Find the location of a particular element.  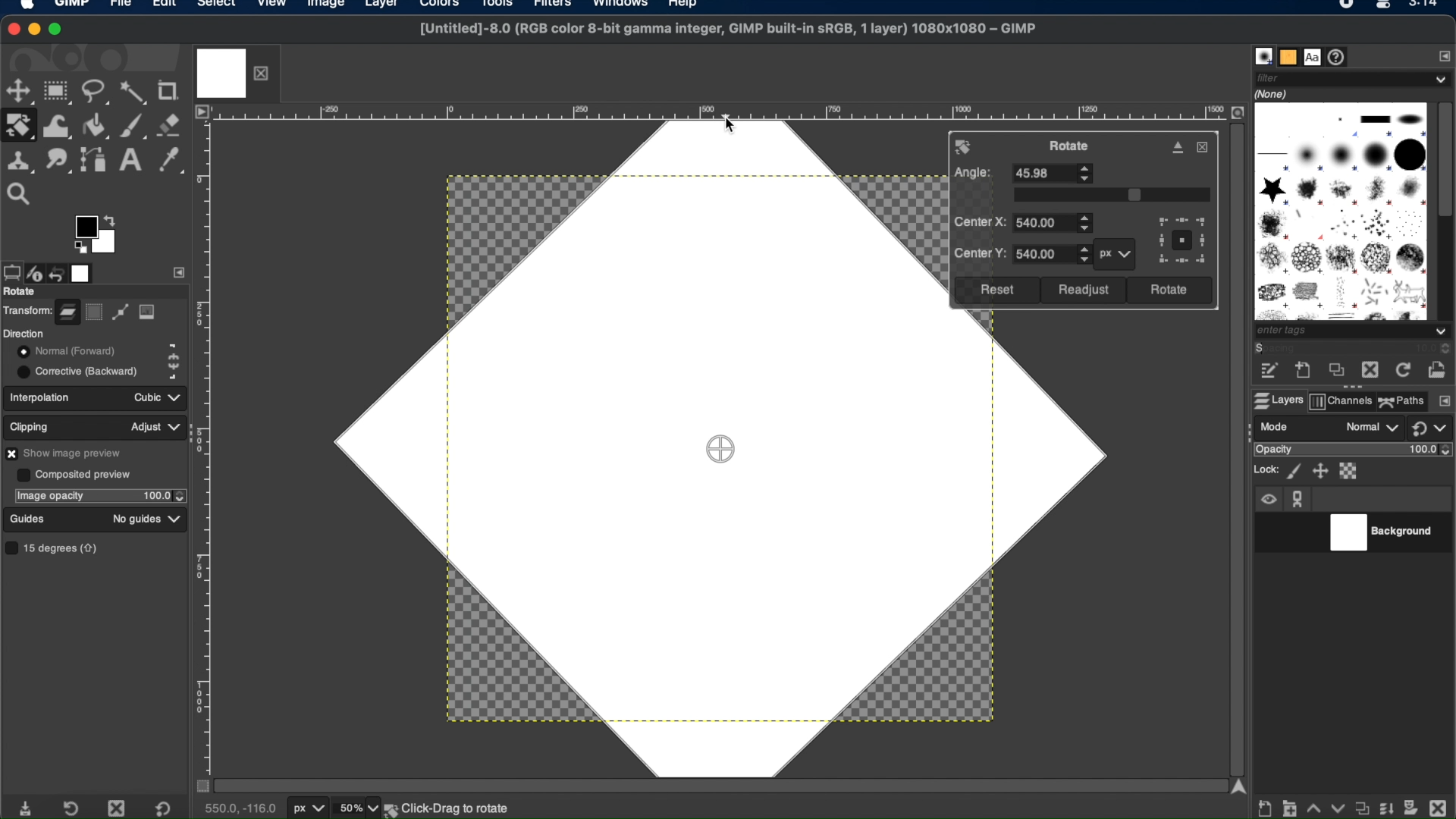

delete this layer is located at coordinates (1438, 804).